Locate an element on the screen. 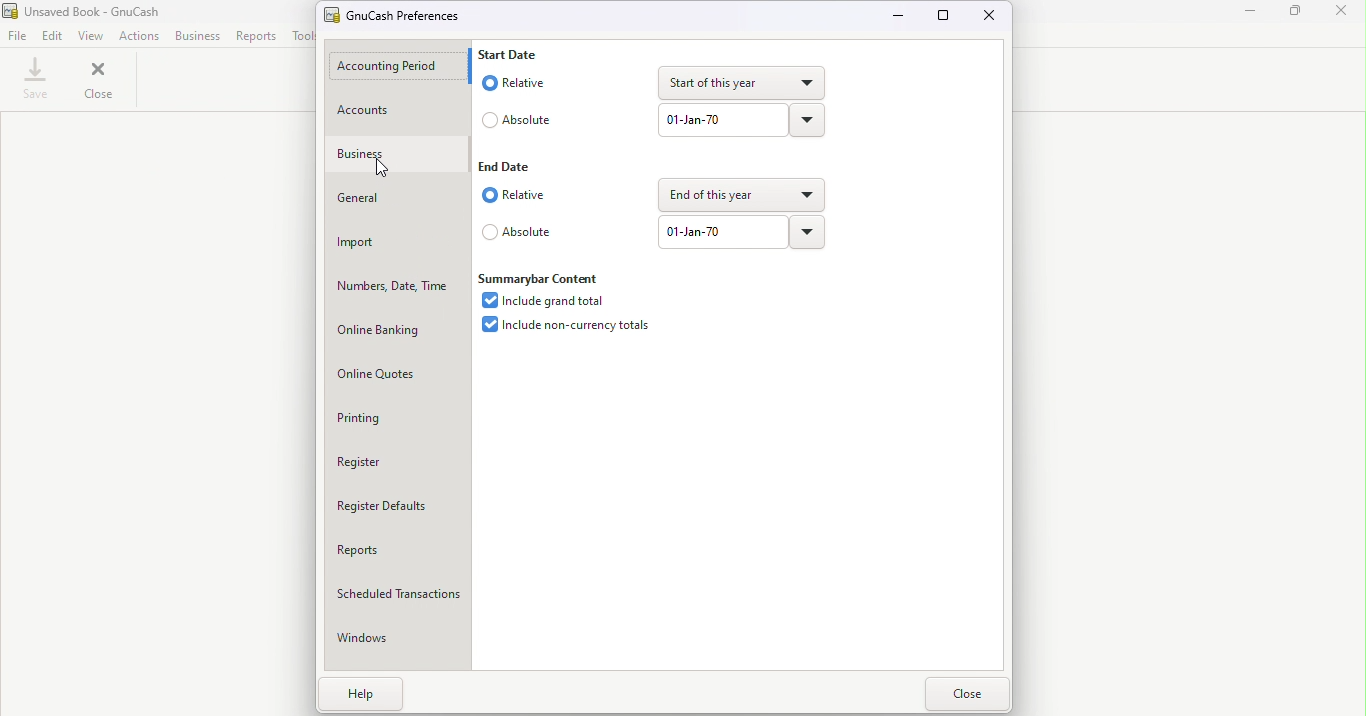 This screenshot has width=1366, height=716. Maximize is located at coordinates (945, 15).